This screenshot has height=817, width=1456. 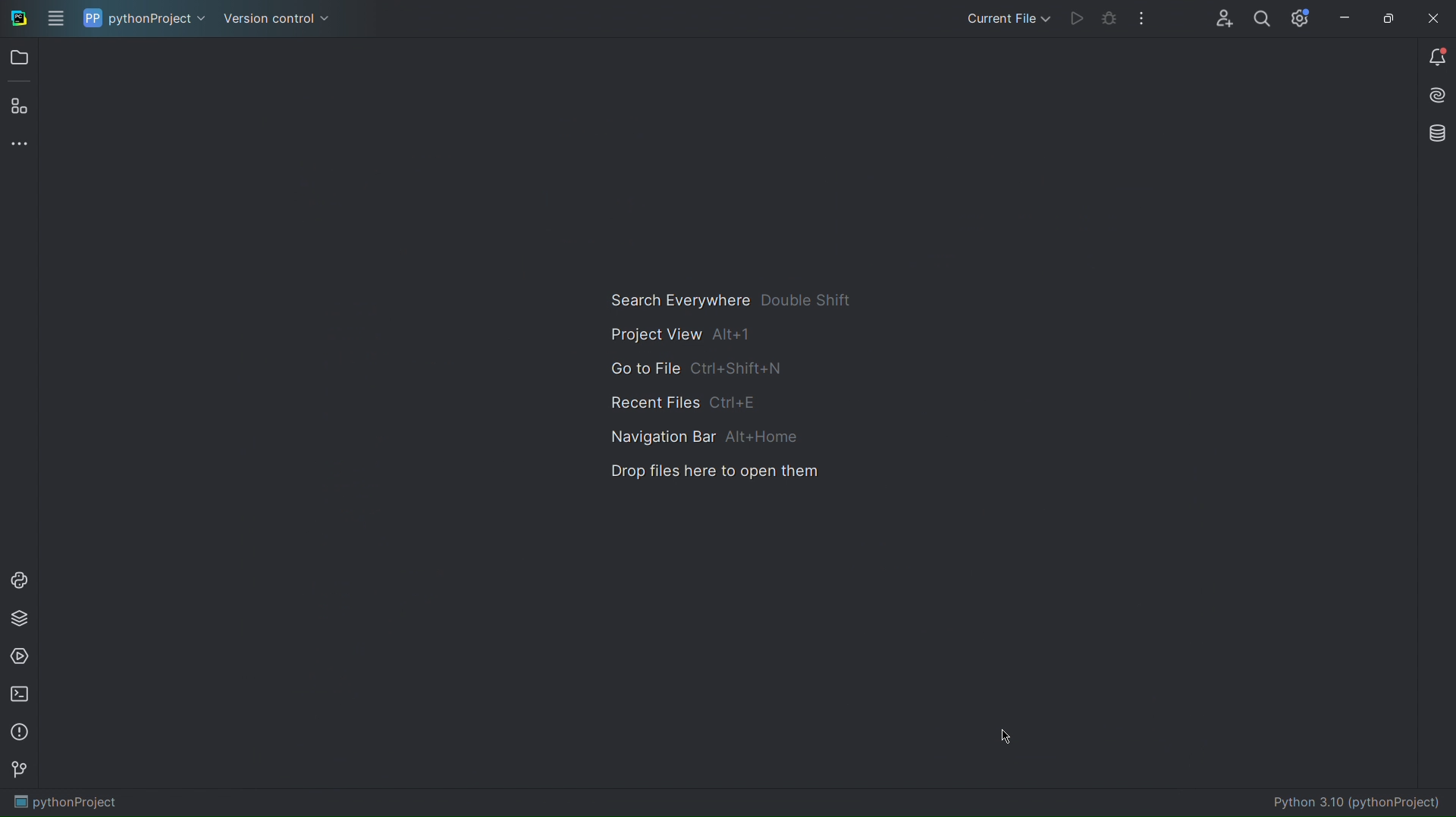 I want to click on Application menu, so click(x=51, y=17).